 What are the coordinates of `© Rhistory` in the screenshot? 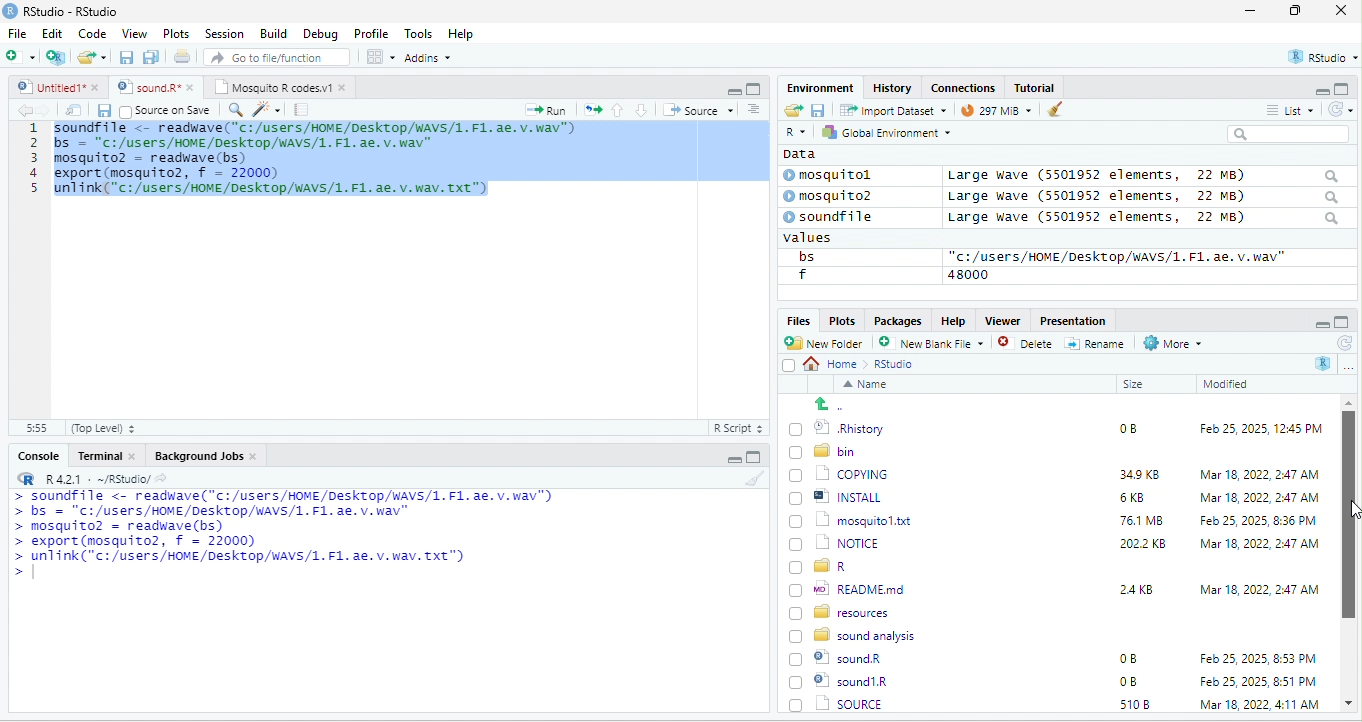 It's located at (838, 426).